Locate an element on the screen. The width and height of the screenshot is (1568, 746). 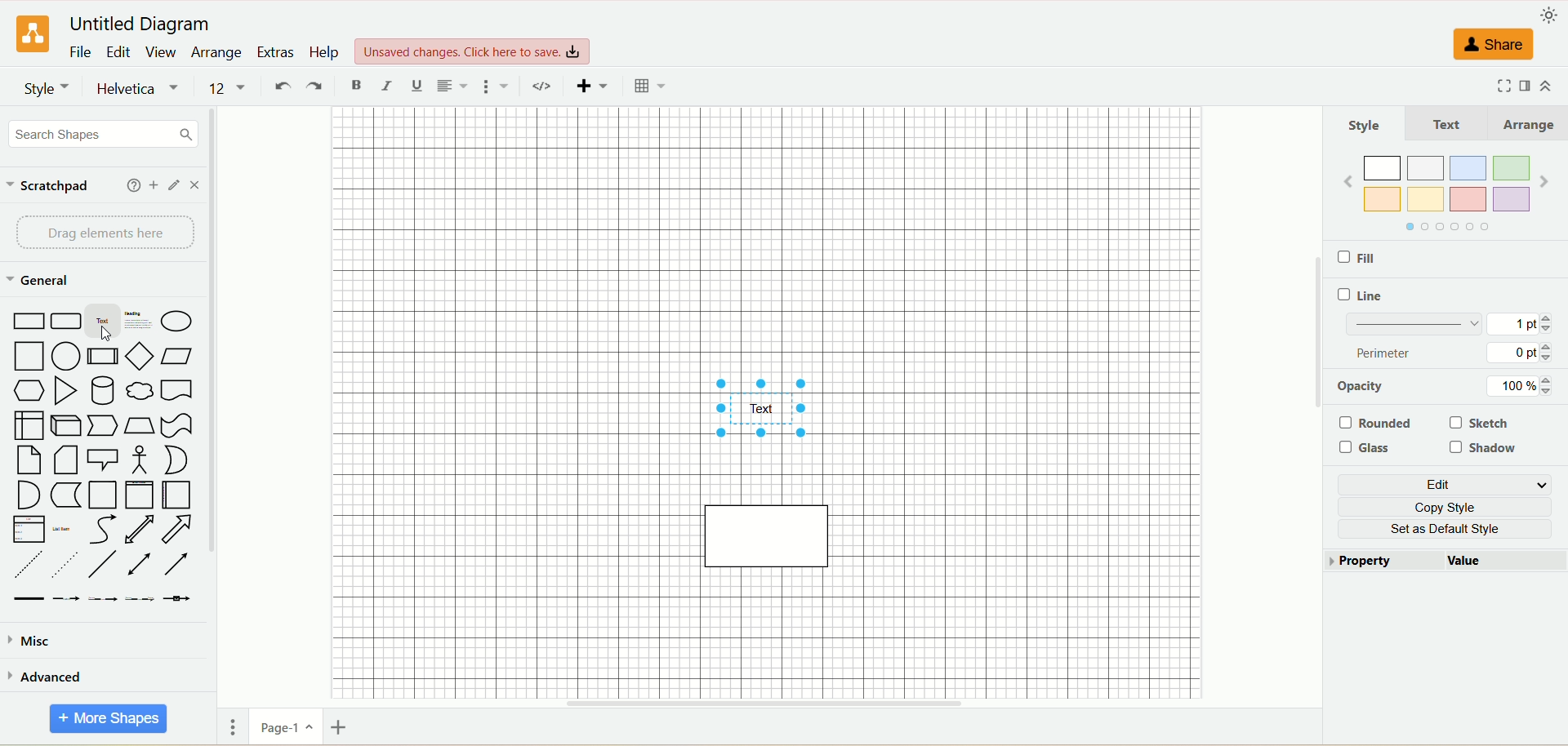
rounded is located at coordinates (1380, 421).